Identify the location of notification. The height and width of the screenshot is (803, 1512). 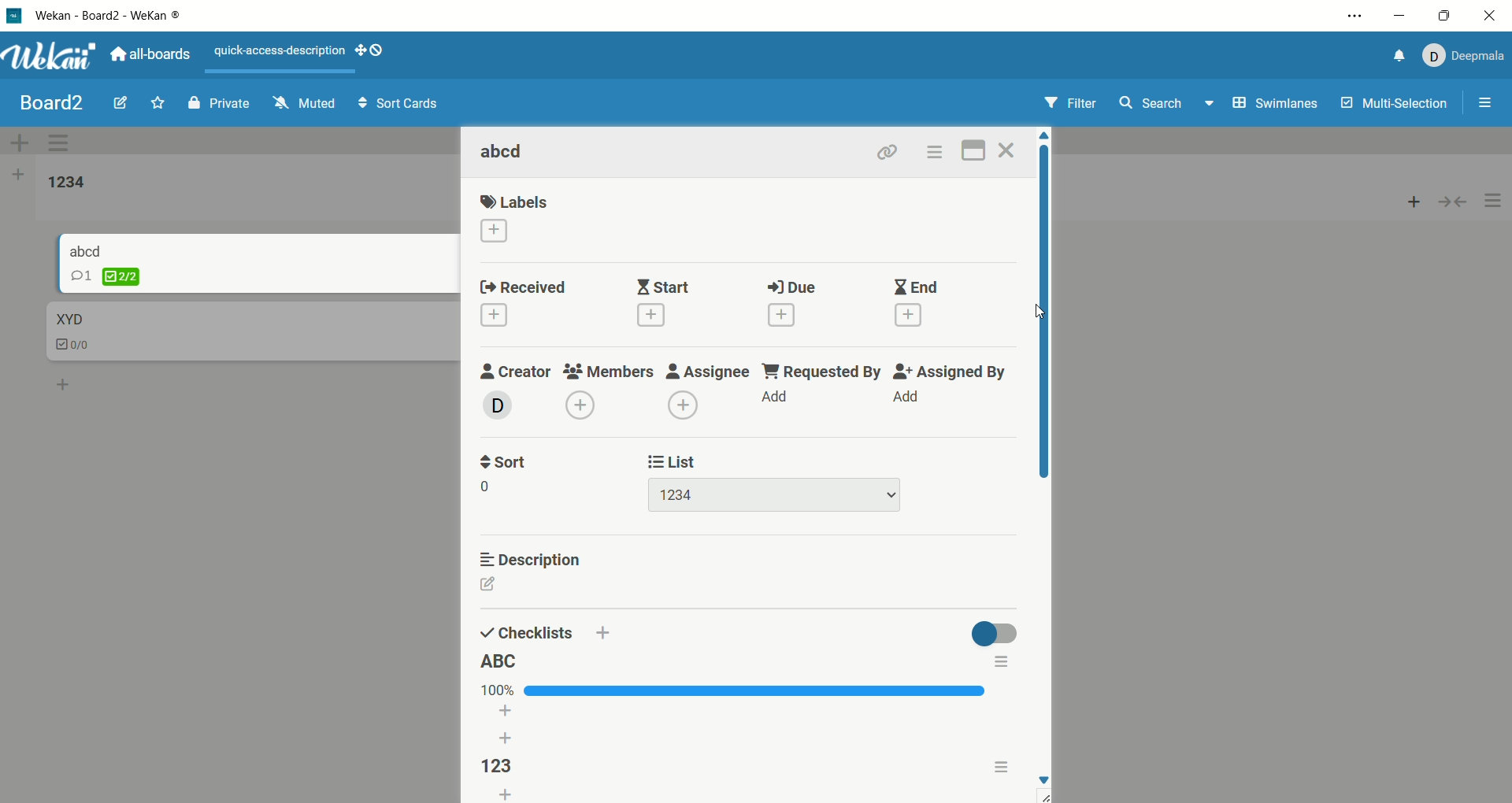
(1395, 58).